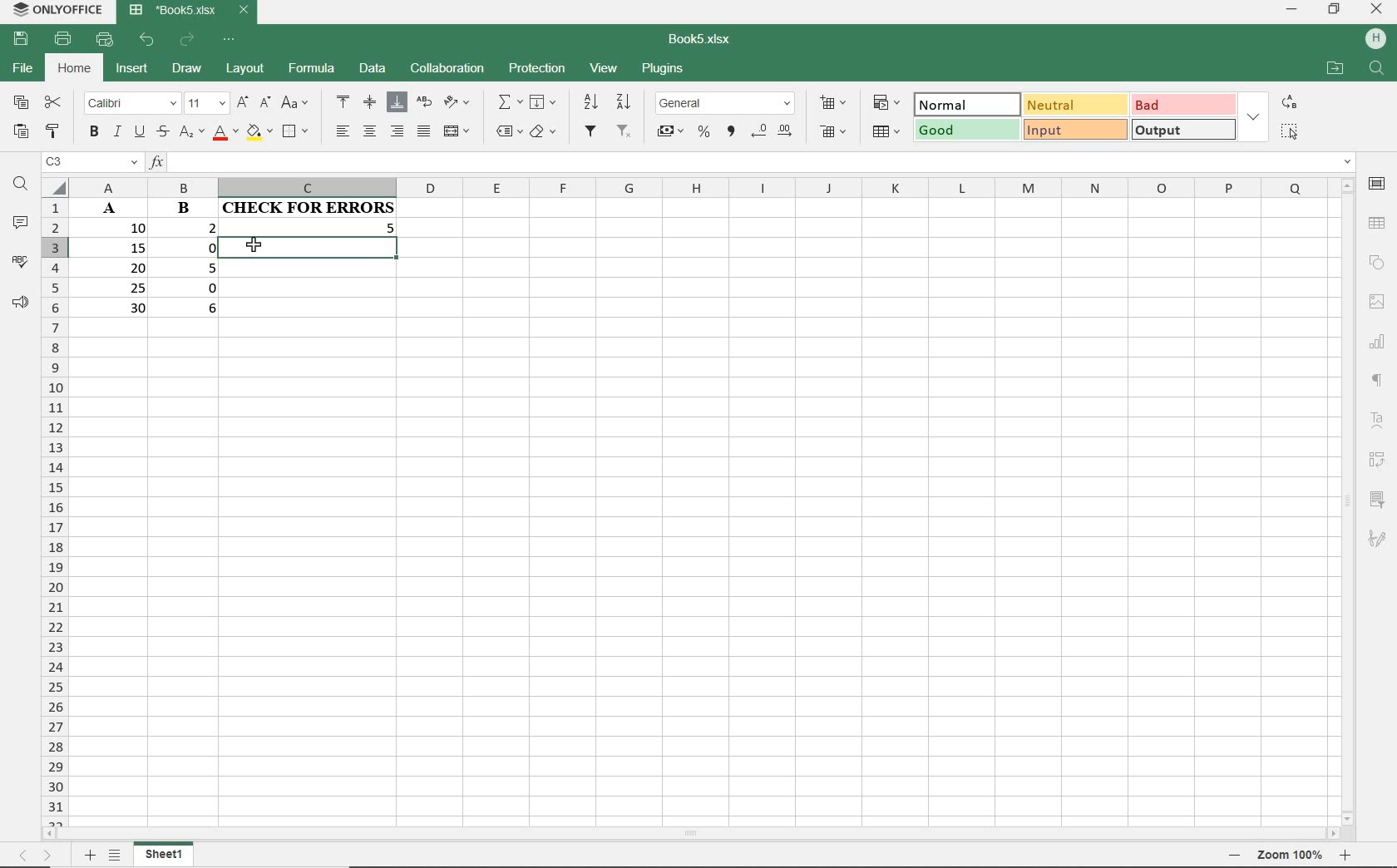 This screenshot has width=1397, height=868. Describe the element at coordinates (698, 188) in the screenshot. I see `COLUMNS` at that location.